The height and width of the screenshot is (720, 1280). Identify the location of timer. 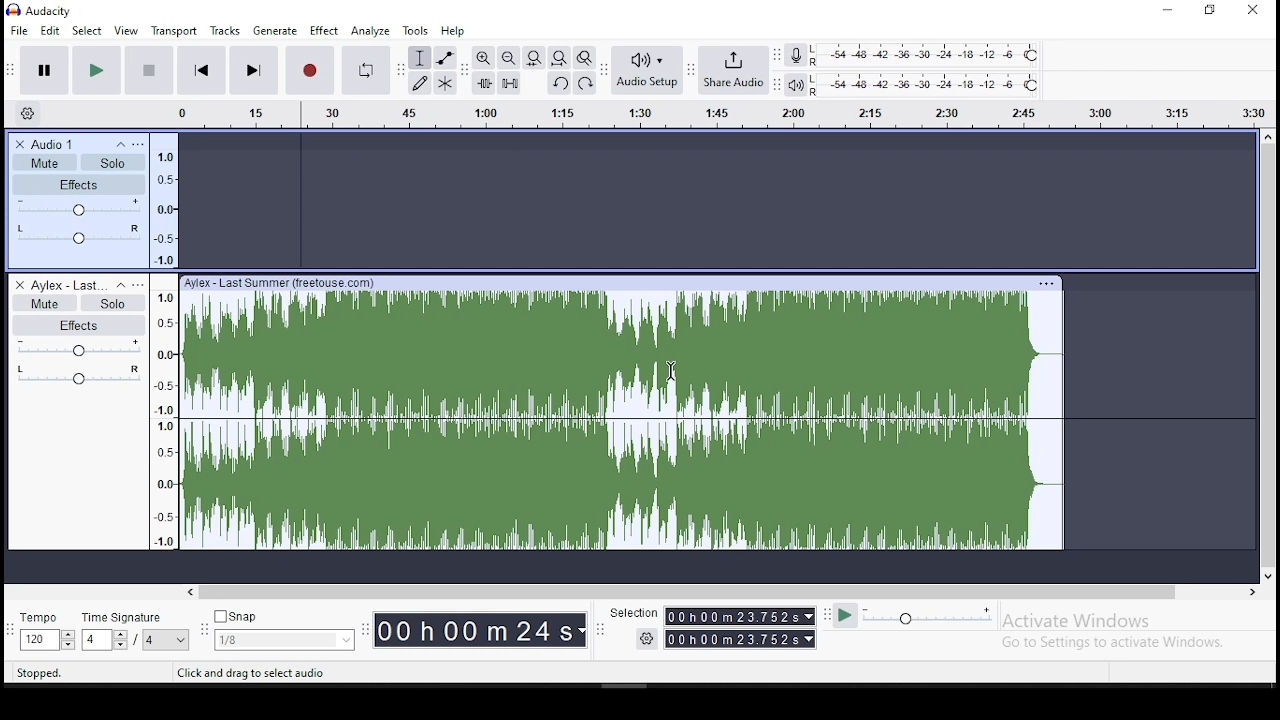
(480, 627).